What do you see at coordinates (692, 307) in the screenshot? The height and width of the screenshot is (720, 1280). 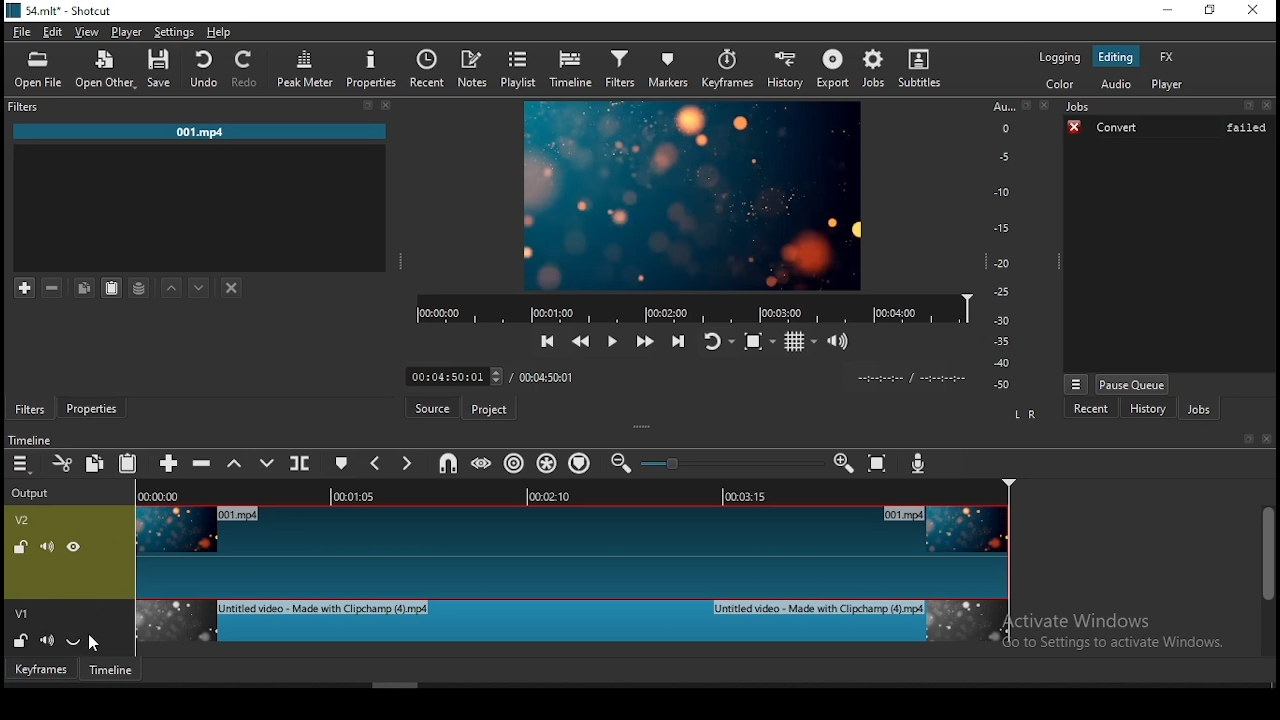 I see `timeline` at bounding box center [692, 307].